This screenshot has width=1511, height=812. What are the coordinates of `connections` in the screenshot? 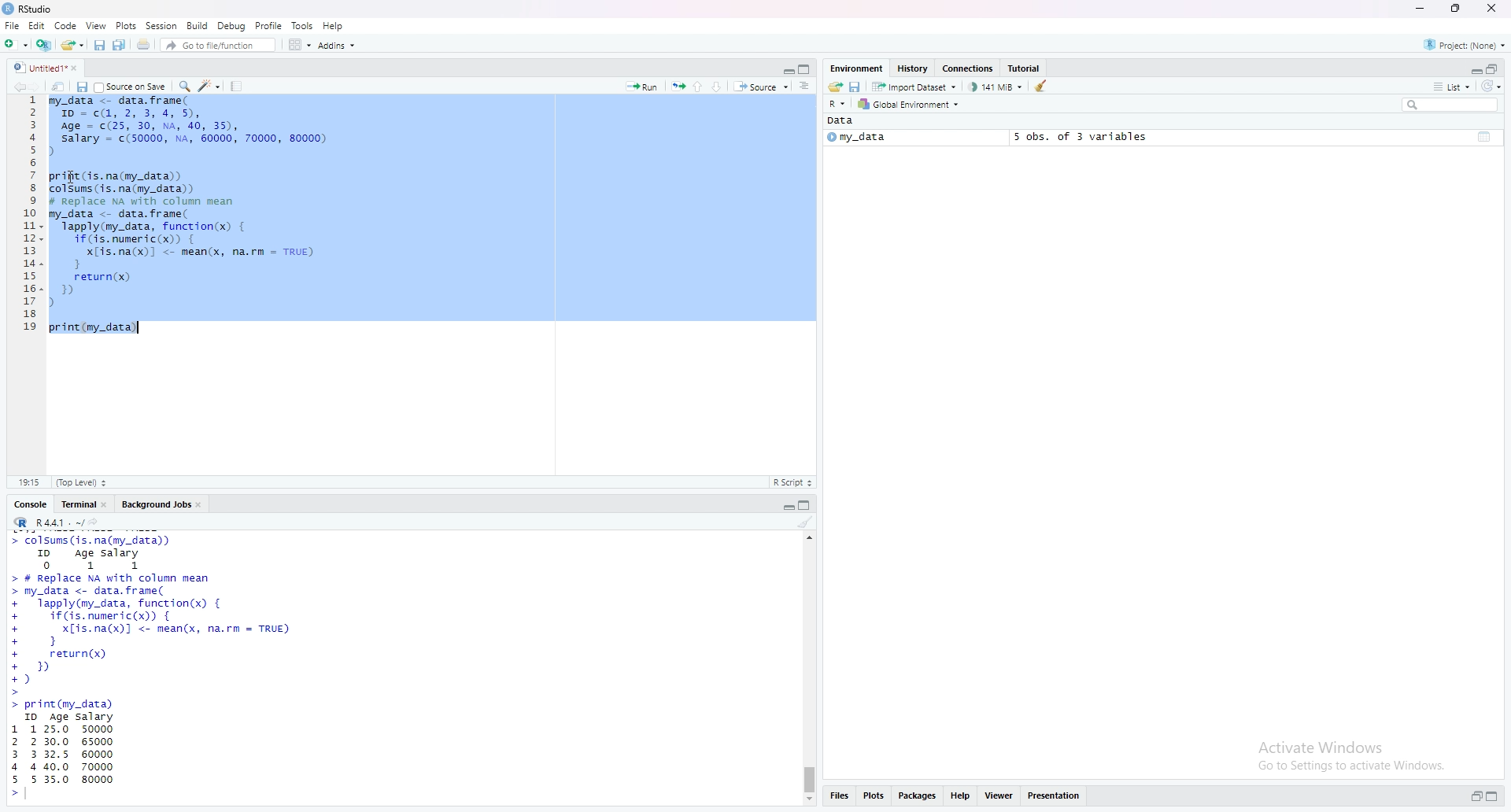 It's located at (969, 69).